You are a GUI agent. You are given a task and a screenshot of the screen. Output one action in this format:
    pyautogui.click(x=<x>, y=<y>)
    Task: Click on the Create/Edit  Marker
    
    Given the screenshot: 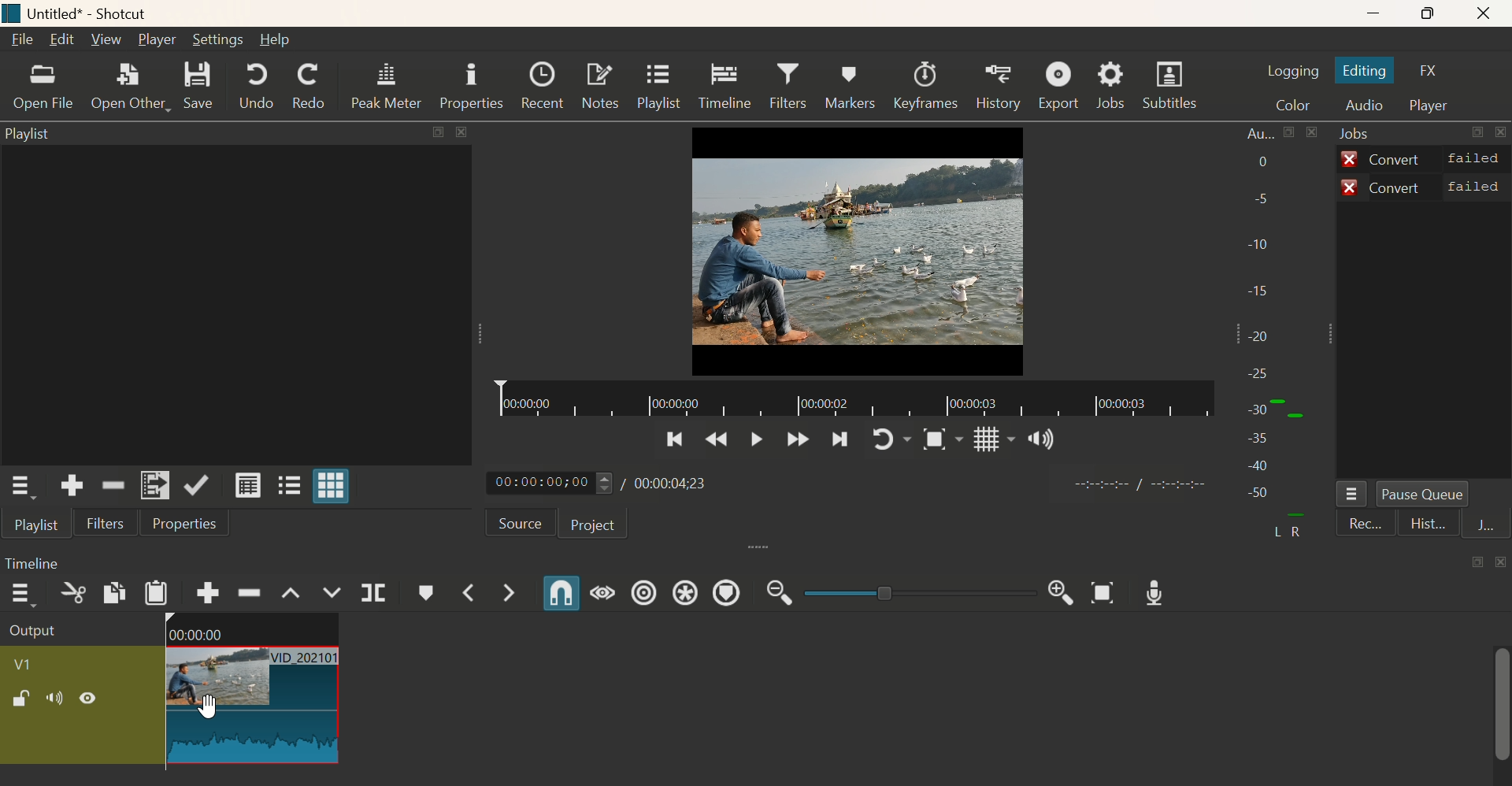 What is the action you would take?
    pyautogui.click(x=427, y=595)
    